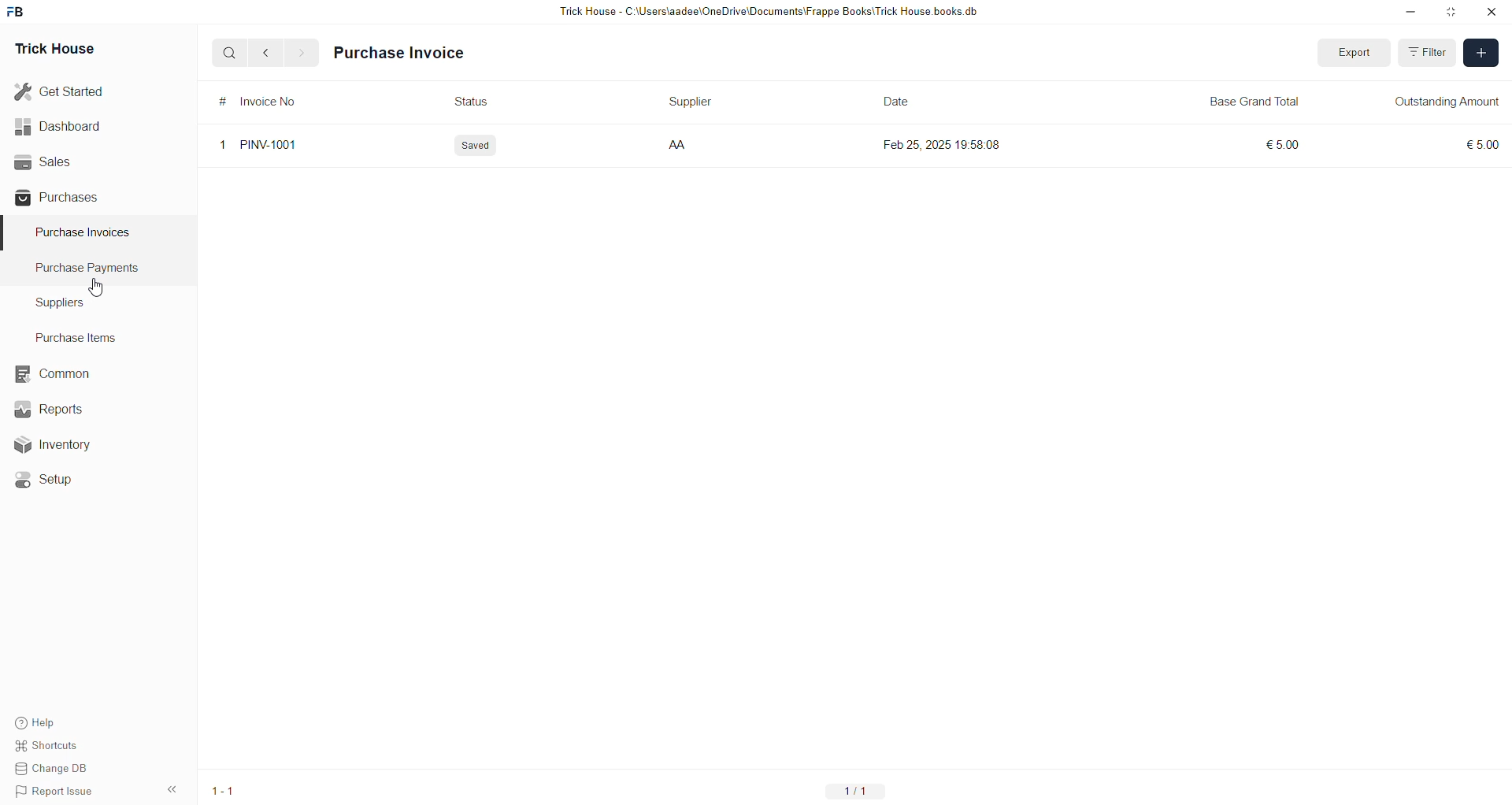 This screenshot has width=1512, height=805. What do you see at coordinates (269, 146) in the screenshot?
I see `PINV-1001` at bounding box center [269, 146].